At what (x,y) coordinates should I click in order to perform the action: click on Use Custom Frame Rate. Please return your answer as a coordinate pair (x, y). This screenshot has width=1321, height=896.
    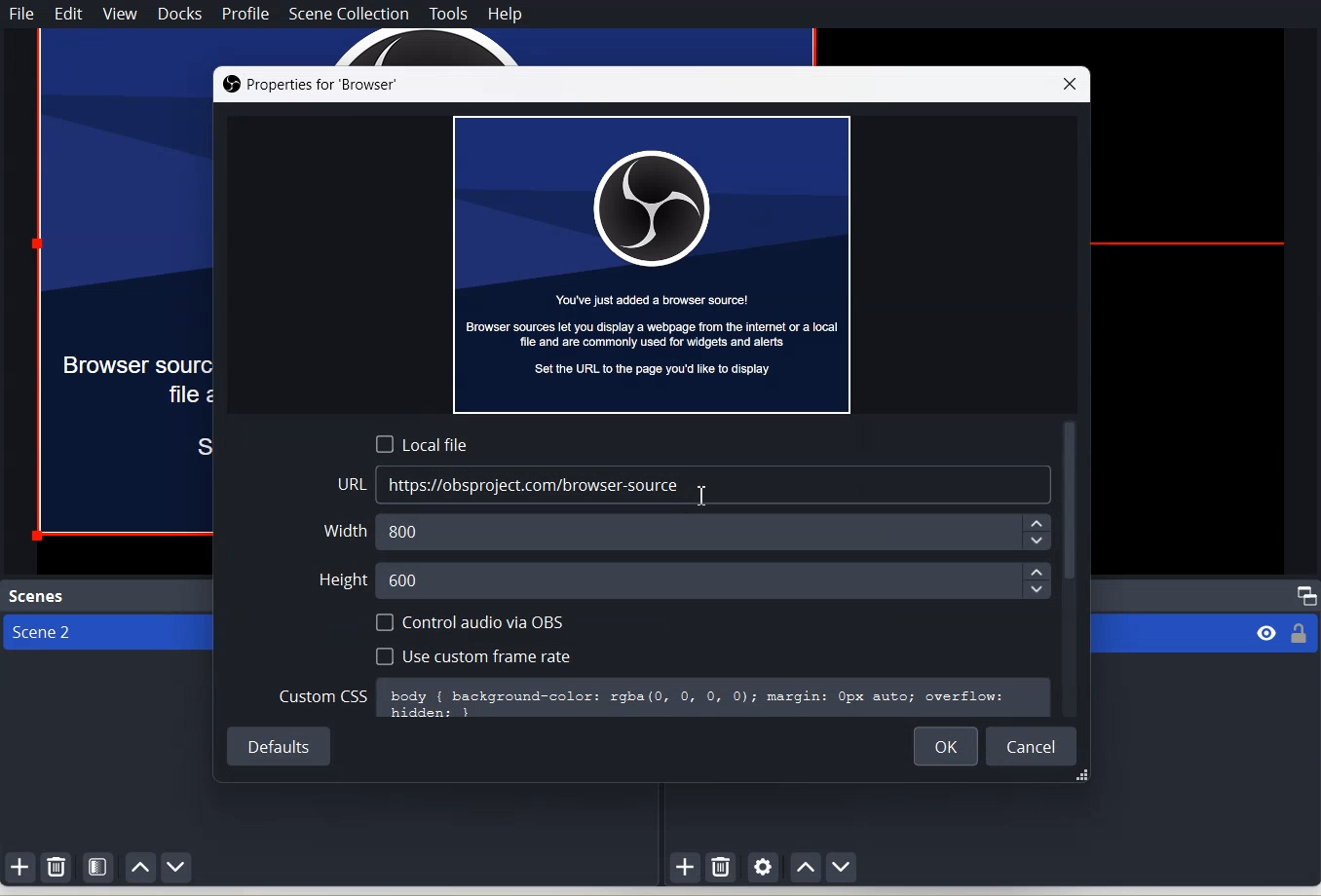
    Looking at the image, I should click on (473, 656).